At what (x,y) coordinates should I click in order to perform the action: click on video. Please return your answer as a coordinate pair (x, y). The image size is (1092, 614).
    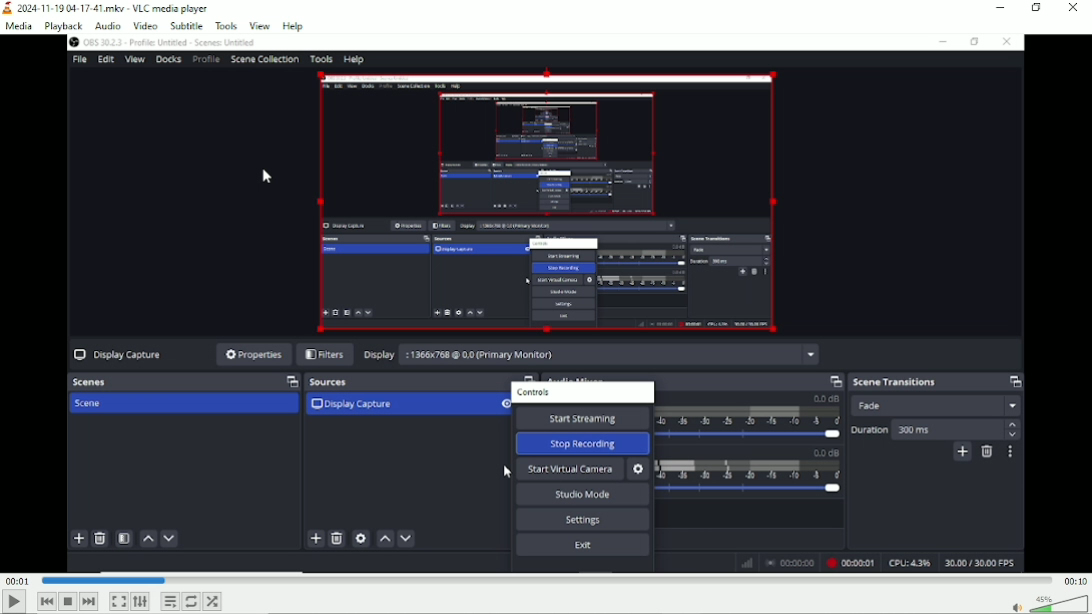
    Looking at the image, I should click on (143, 25).